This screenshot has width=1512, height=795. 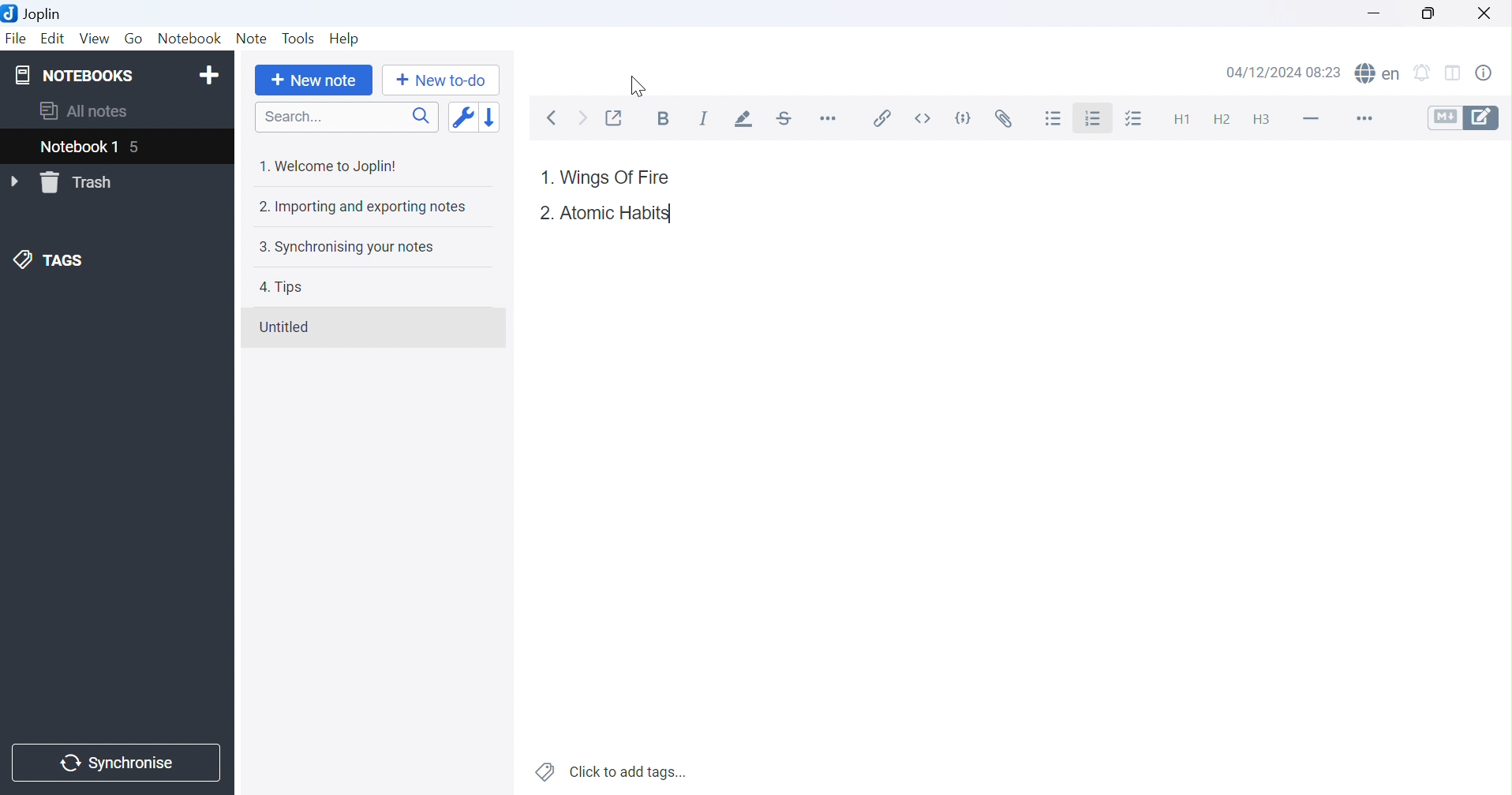 What do you see at coordinates (73, 76) in the screenshot?
I see `NOTEBOOKS` at bounding box center [73, 76].